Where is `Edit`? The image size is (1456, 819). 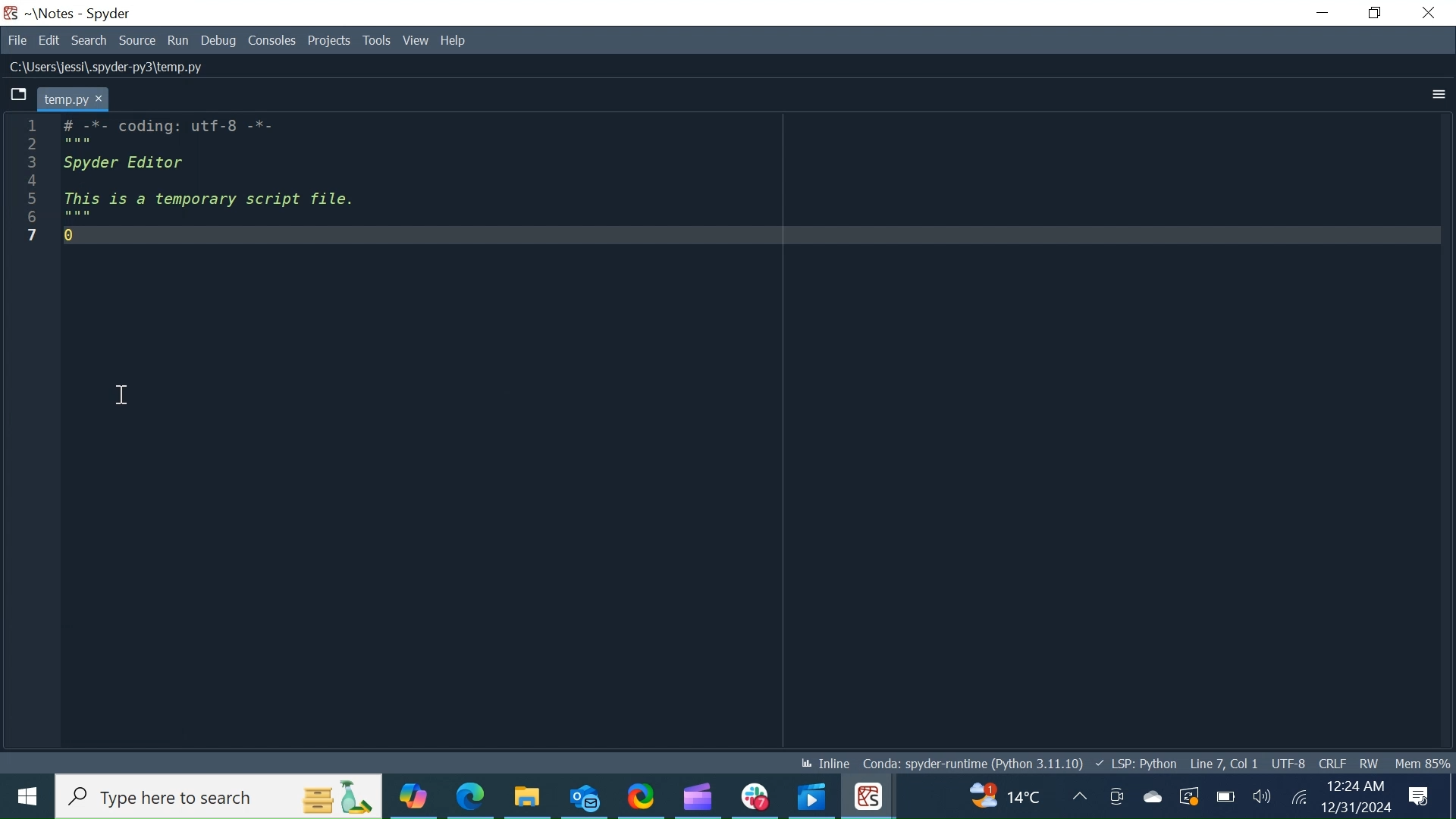
Edit is located at coordinates (49, 41).